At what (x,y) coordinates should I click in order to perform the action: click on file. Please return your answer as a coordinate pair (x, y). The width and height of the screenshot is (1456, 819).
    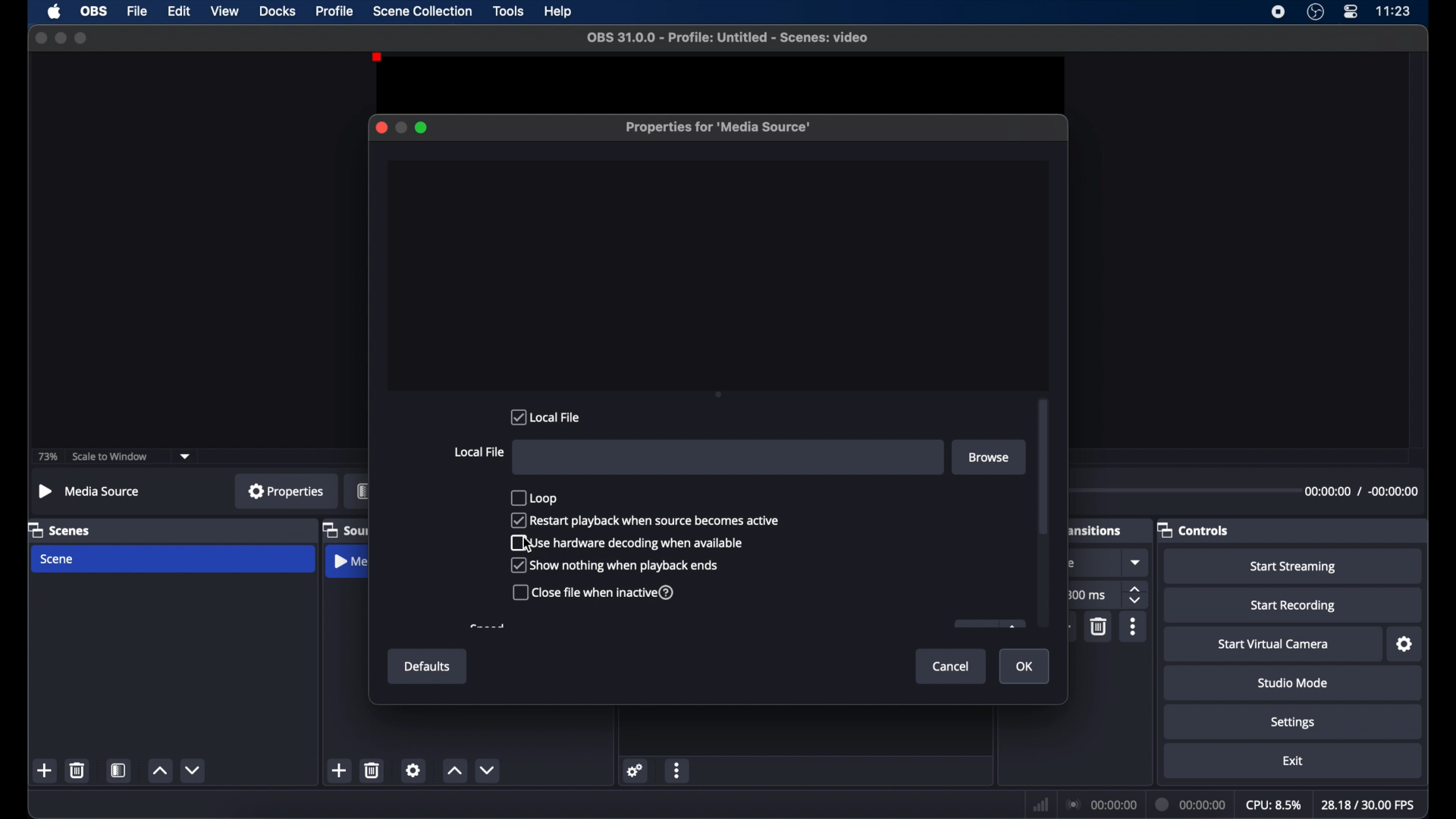
    Looking at the image, I should click on (137, 12).